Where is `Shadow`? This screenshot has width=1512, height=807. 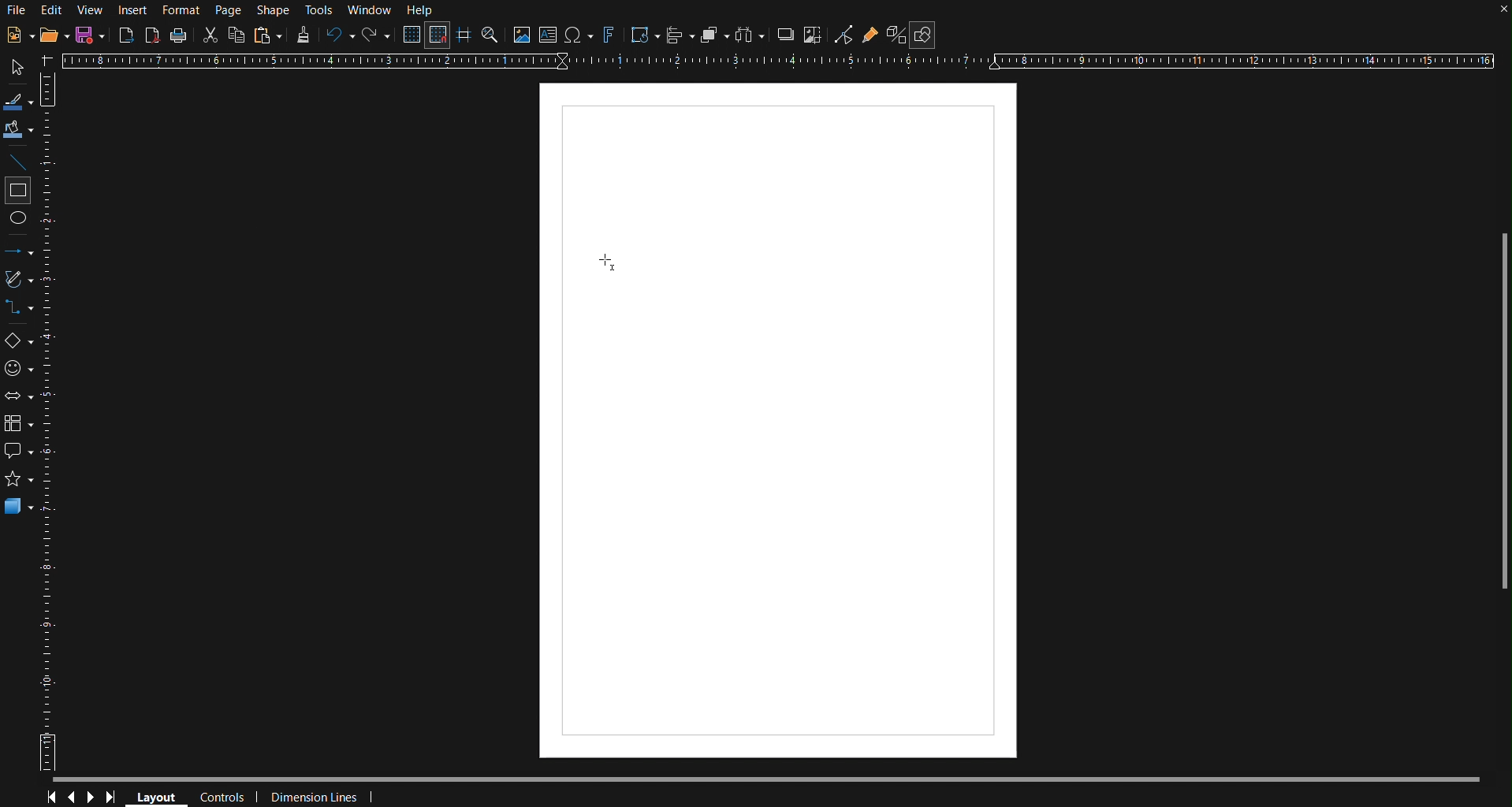
Shadow is located at coordinates (784, 34).